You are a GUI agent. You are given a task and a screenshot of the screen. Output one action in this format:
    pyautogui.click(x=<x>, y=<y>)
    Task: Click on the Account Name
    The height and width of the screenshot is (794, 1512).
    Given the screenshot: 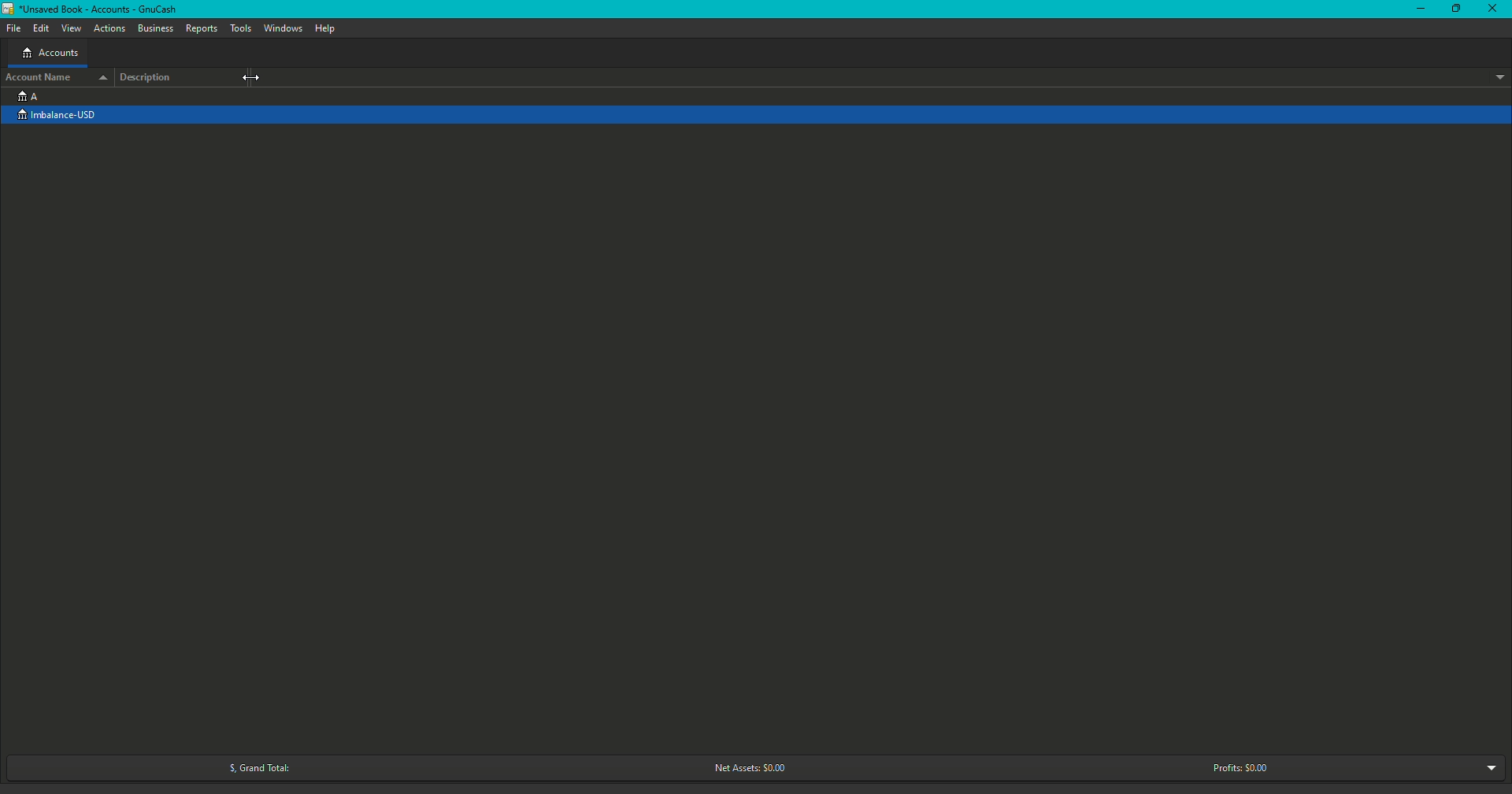 What is the action you would take?
    pyautogui.click(x=55, y=76)
    